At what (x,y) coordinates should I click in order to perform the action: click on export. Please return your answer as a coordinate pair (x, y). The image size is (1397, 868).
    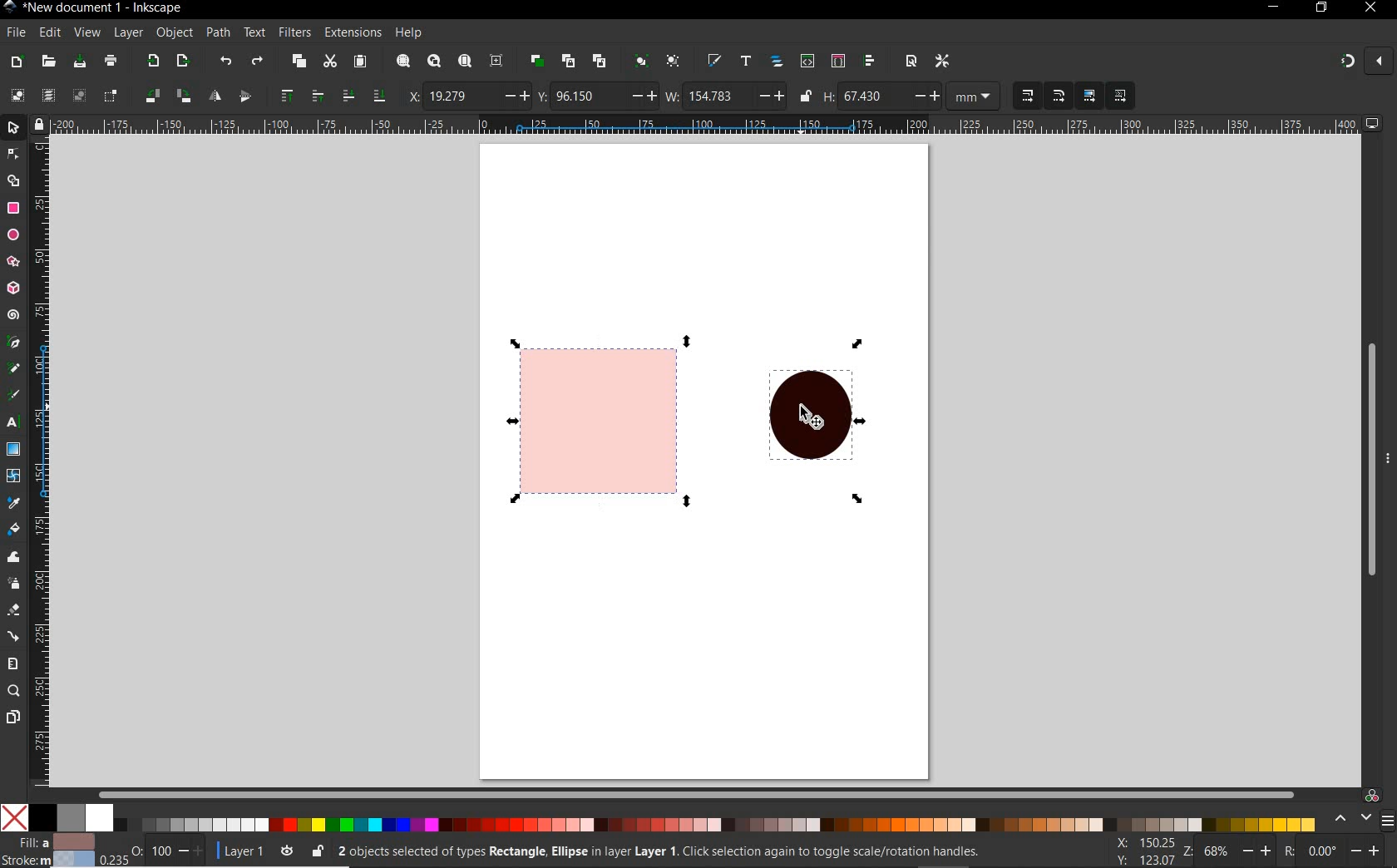
    Looking at the image, I should click on (153, 60).